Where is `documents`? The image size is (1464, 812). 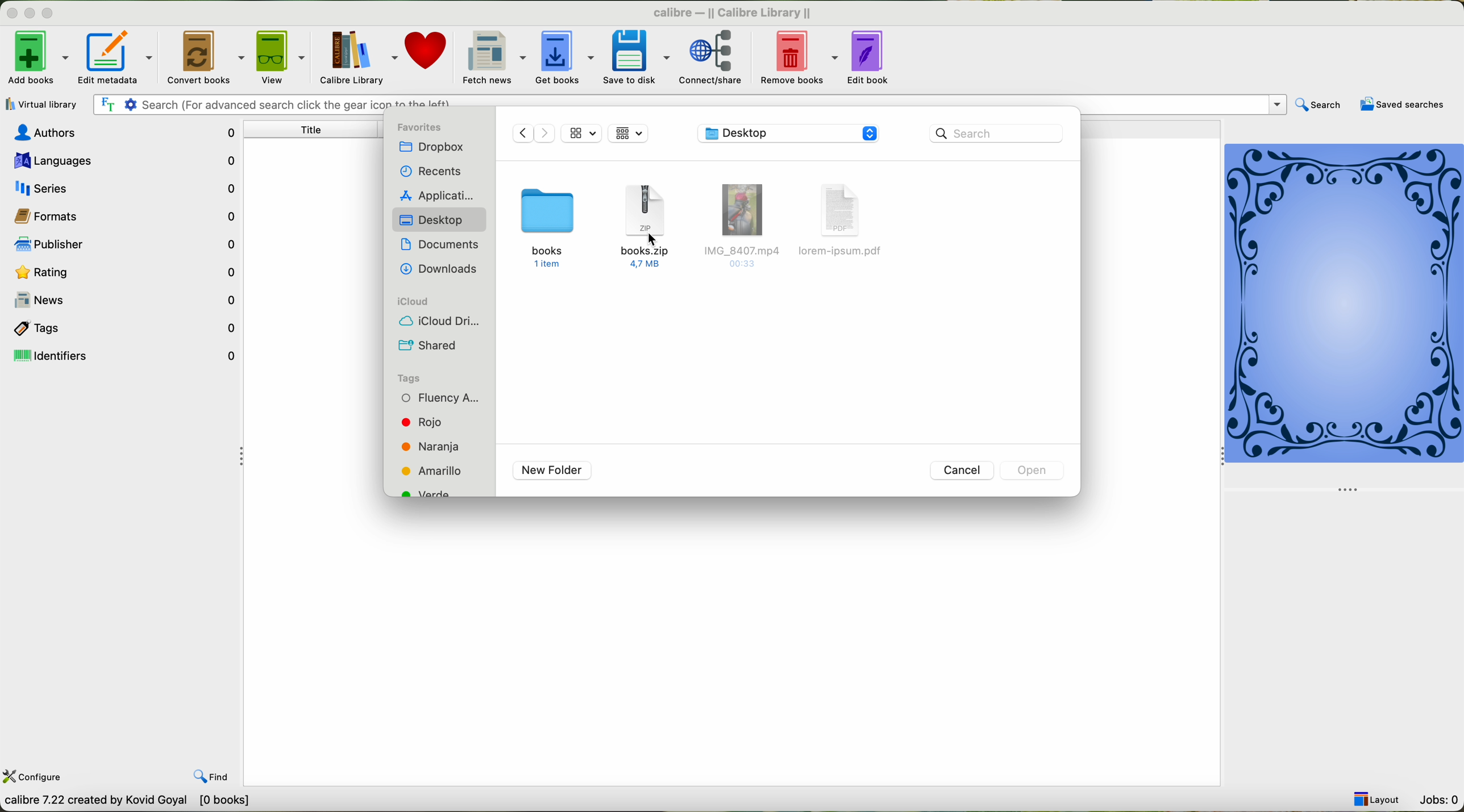 documents is located at coordinates (438, 245).